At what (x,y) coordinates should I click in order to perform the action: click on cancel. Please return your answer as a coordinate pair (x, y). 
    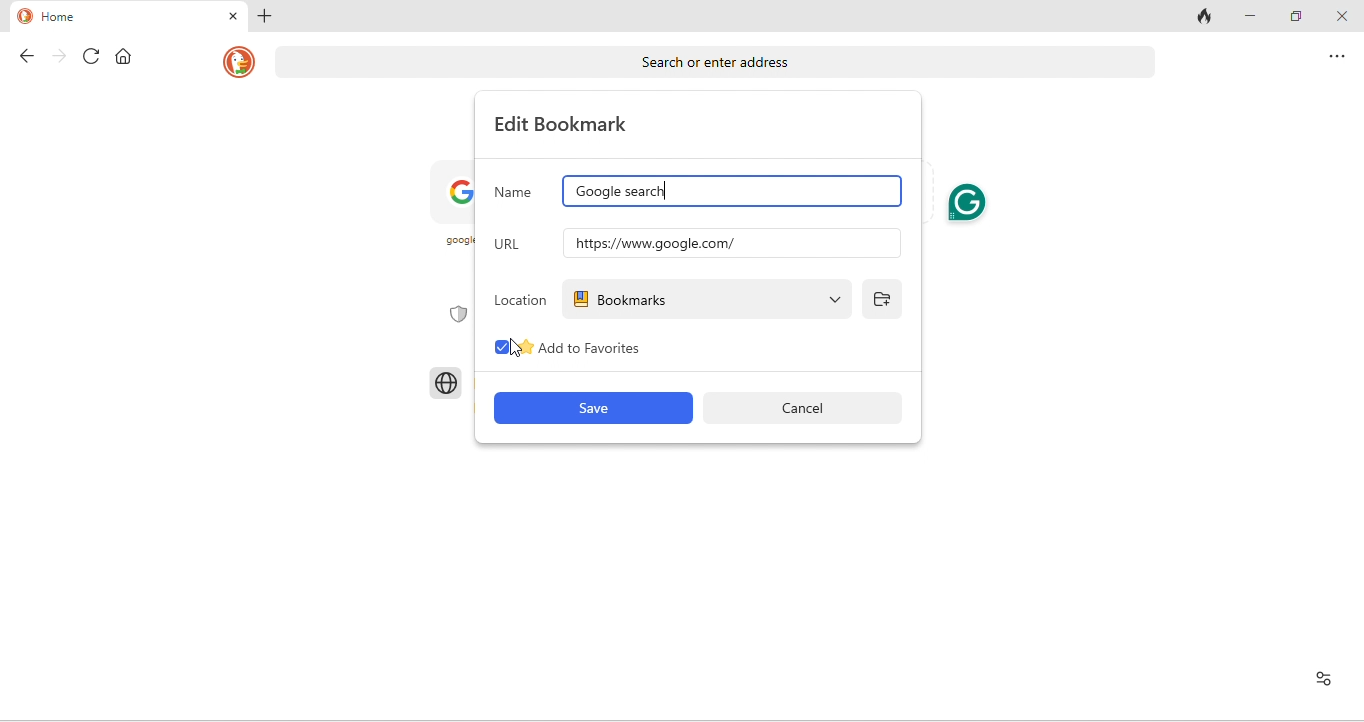
    Looking at the image, I should click on (812, 408).